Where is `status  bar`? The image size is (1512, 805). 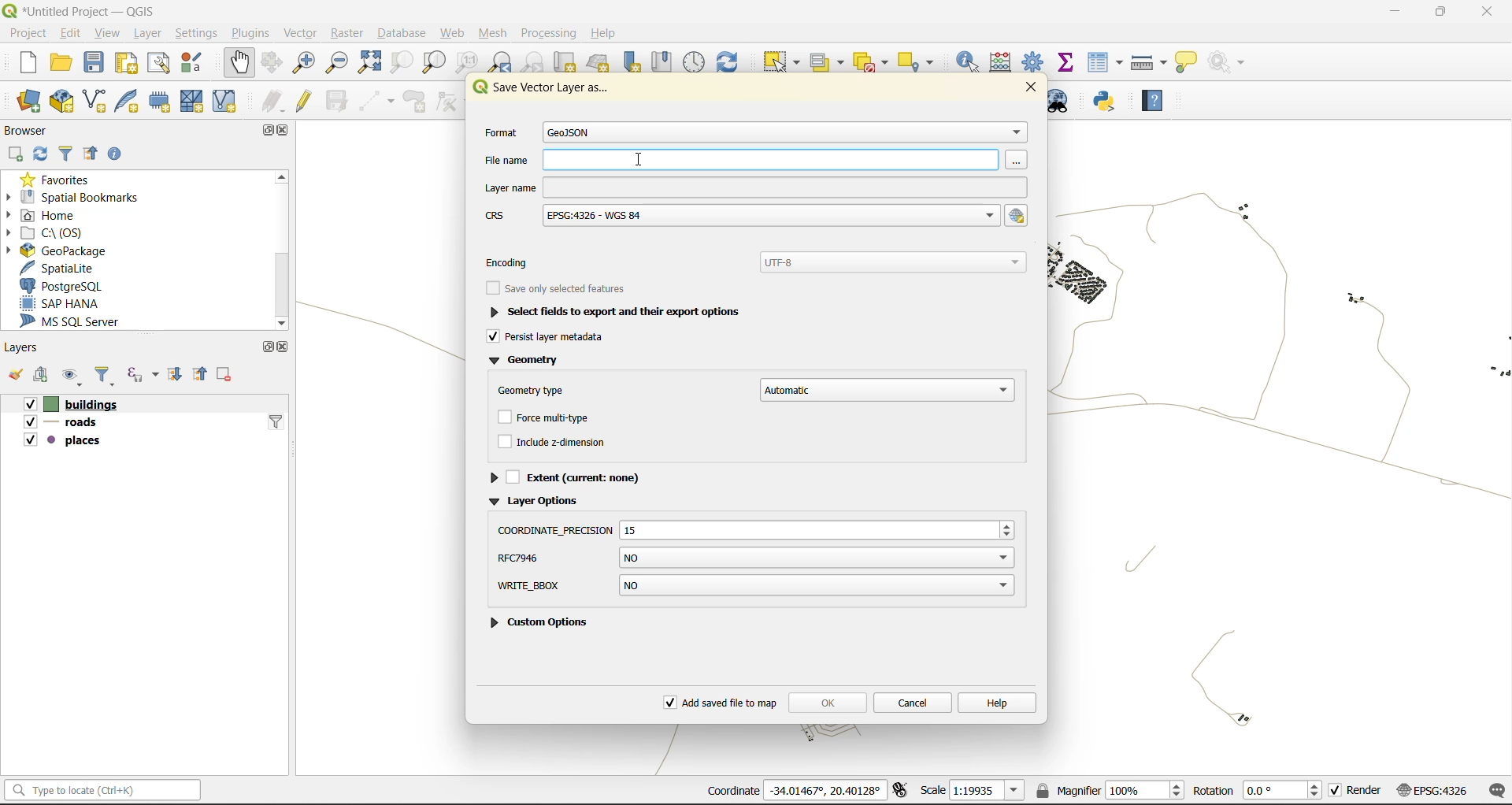 status  bar is located at coordinates (106, 791).